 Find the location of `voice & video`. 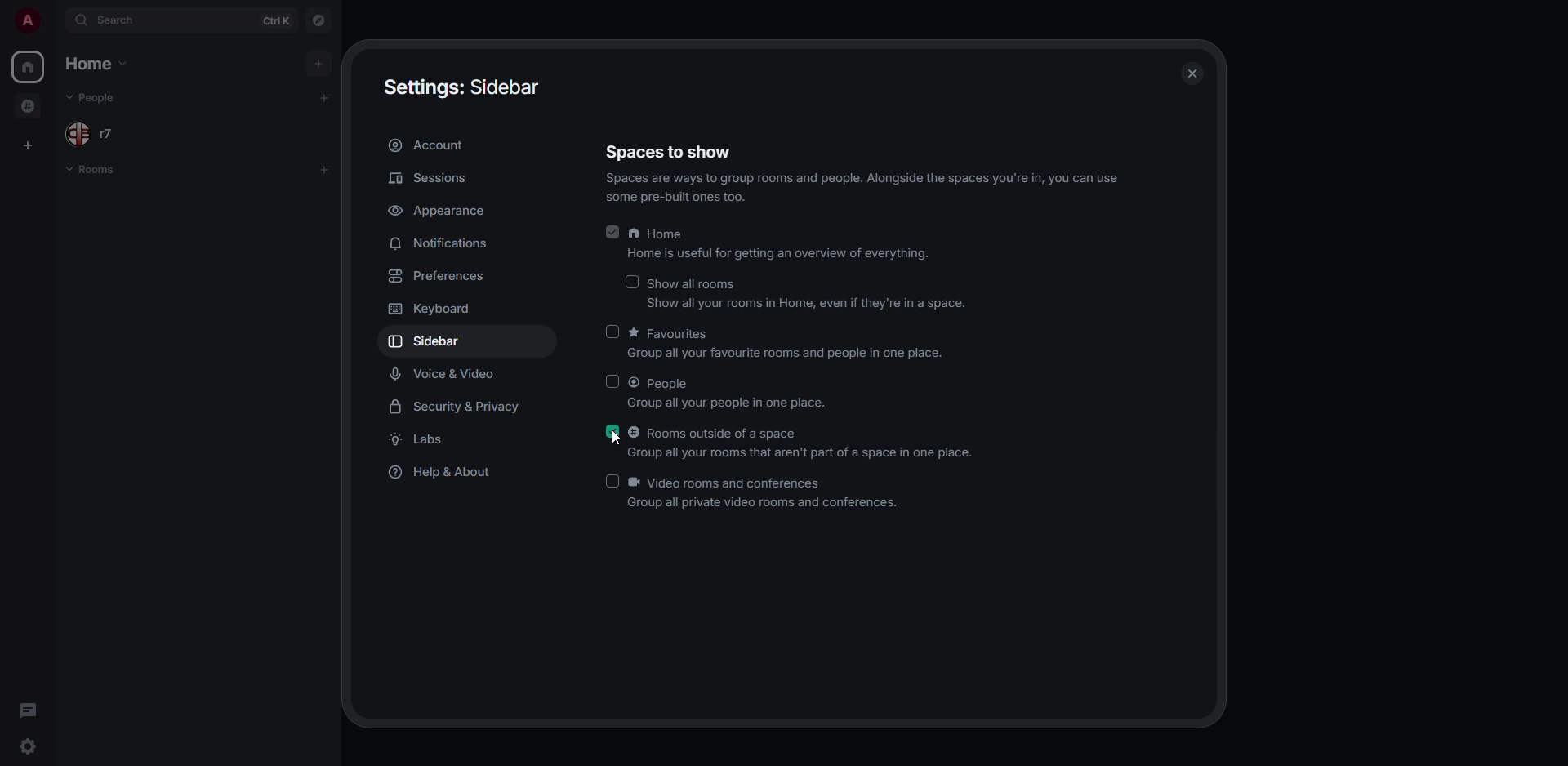

voice & video is located at coordinates (446, 374).